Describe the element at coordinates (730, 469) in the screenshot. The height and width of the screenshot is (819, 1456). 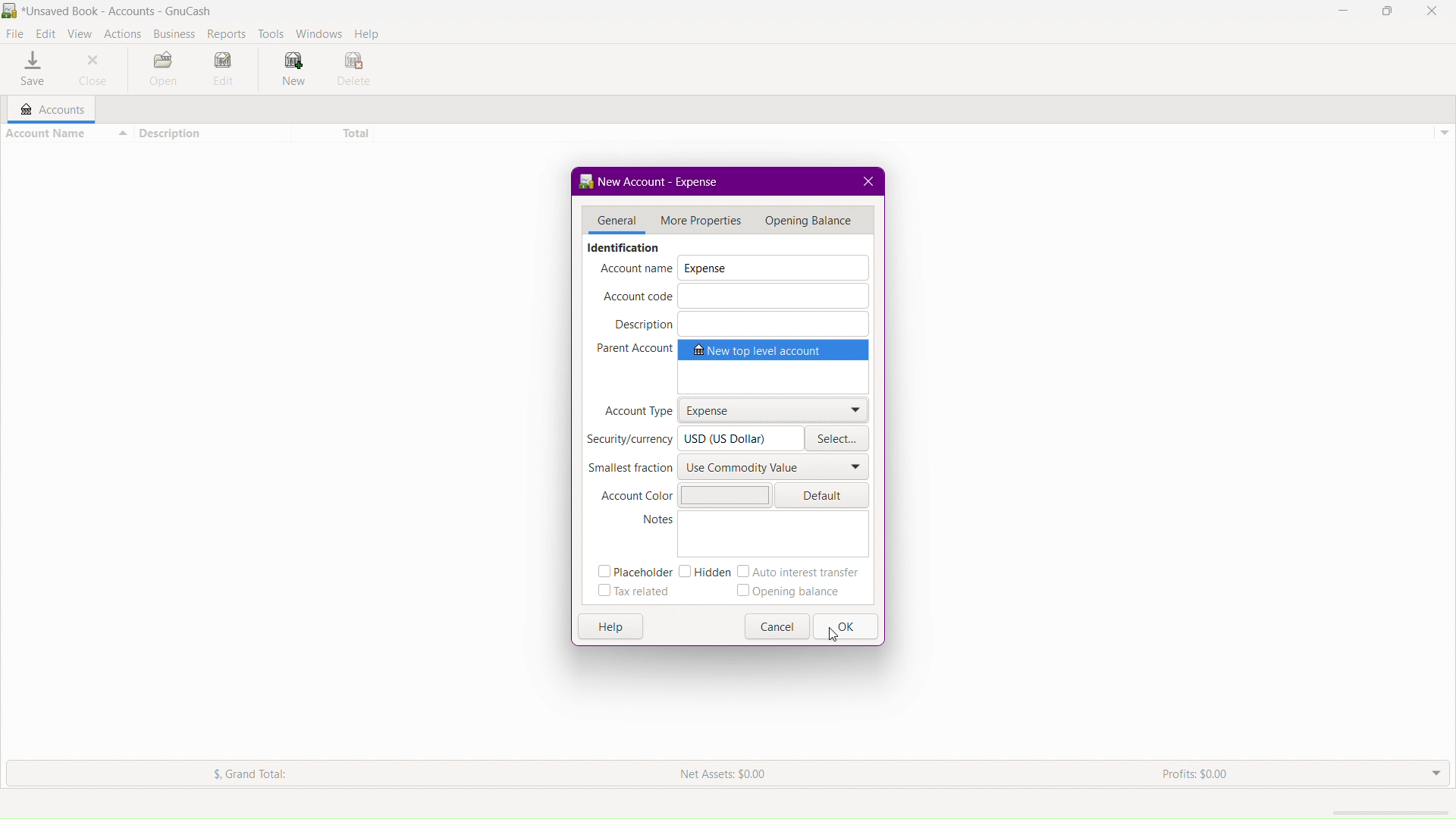
I see `Smallest fraction` at that location.